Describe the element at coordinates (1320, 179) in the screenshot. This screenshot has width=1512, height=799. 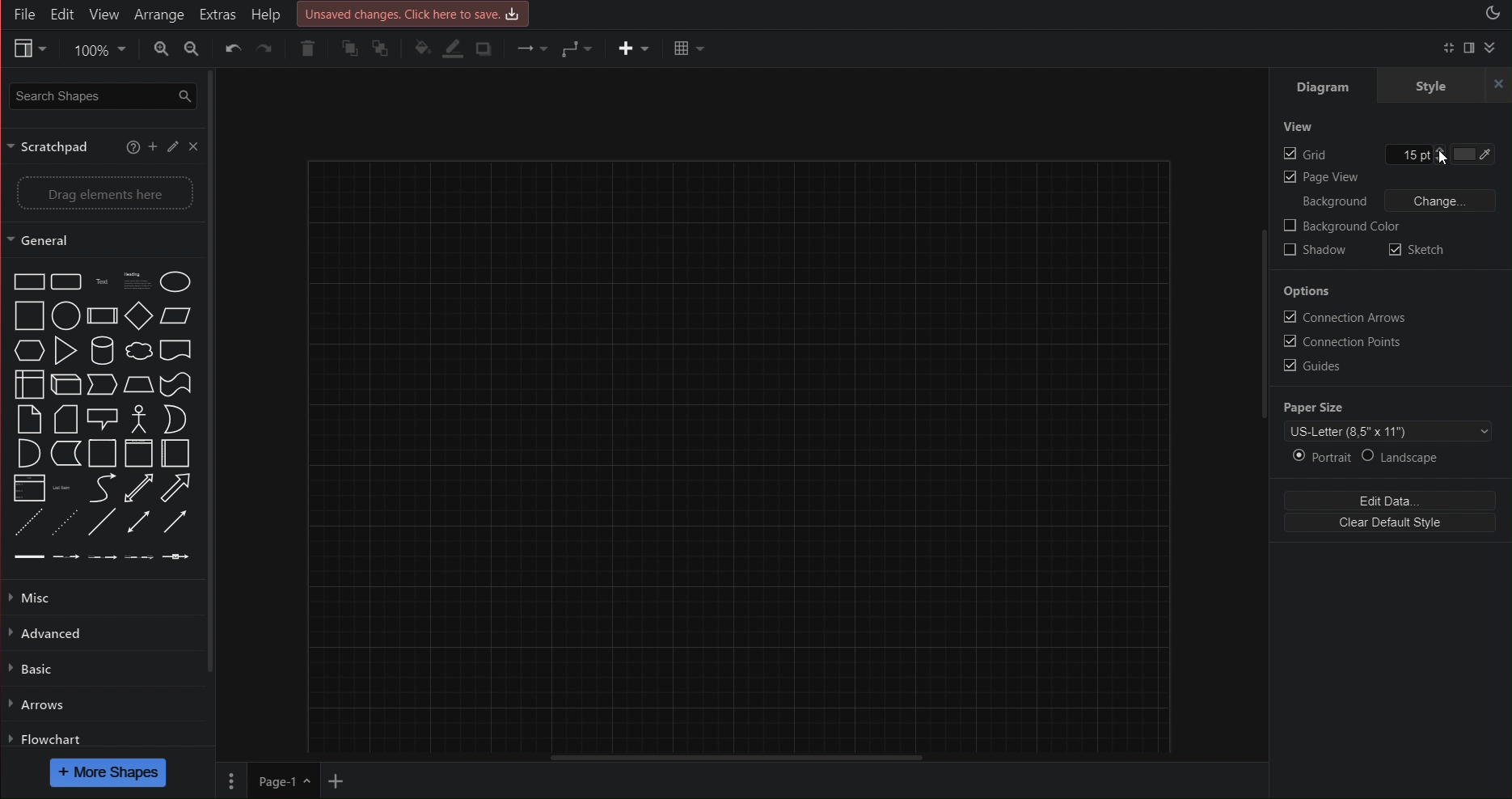
I see `Page View` at that location.